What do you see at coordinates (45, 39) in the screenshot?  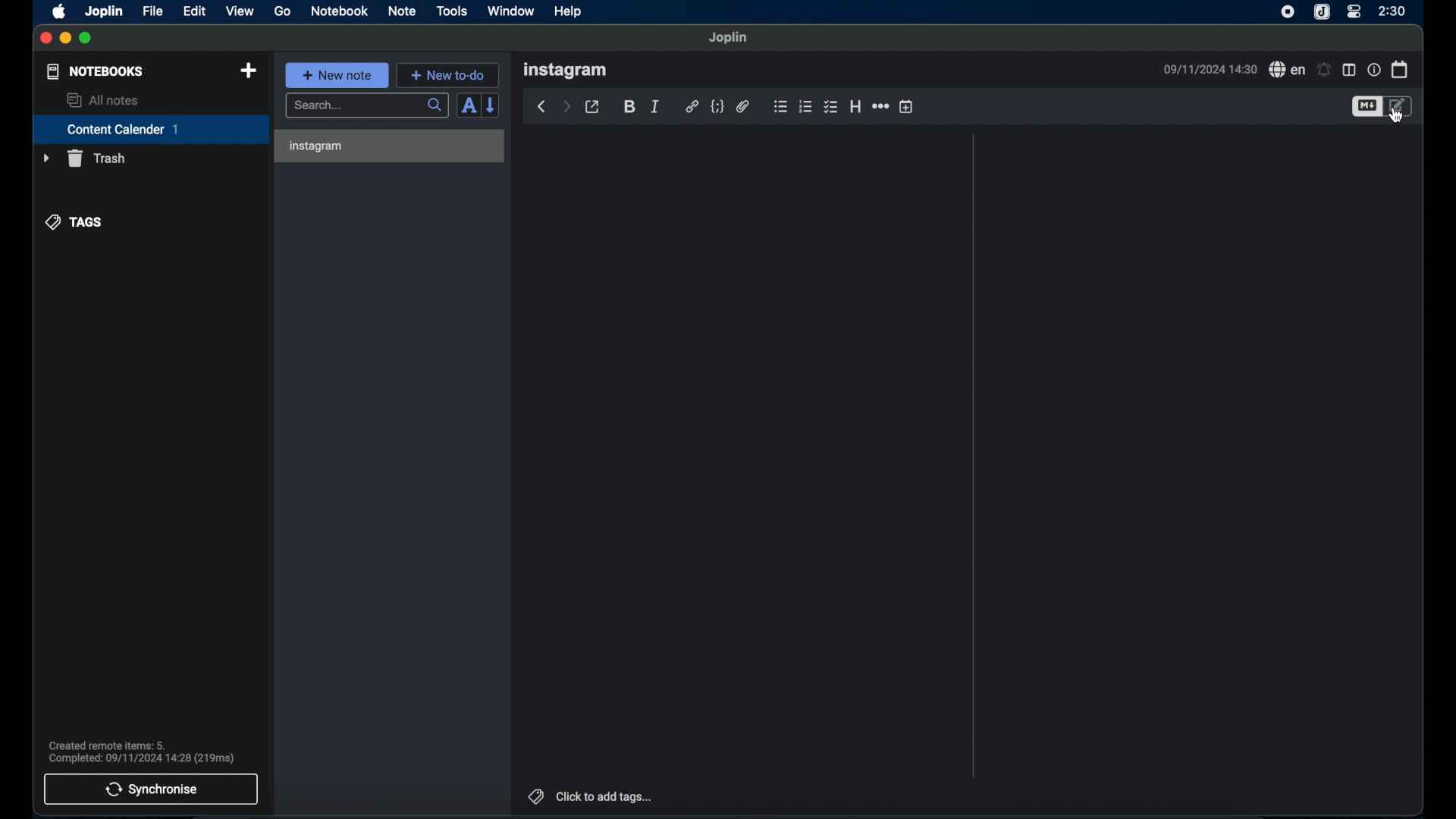 I see `close` at bounding box center [45, 39].